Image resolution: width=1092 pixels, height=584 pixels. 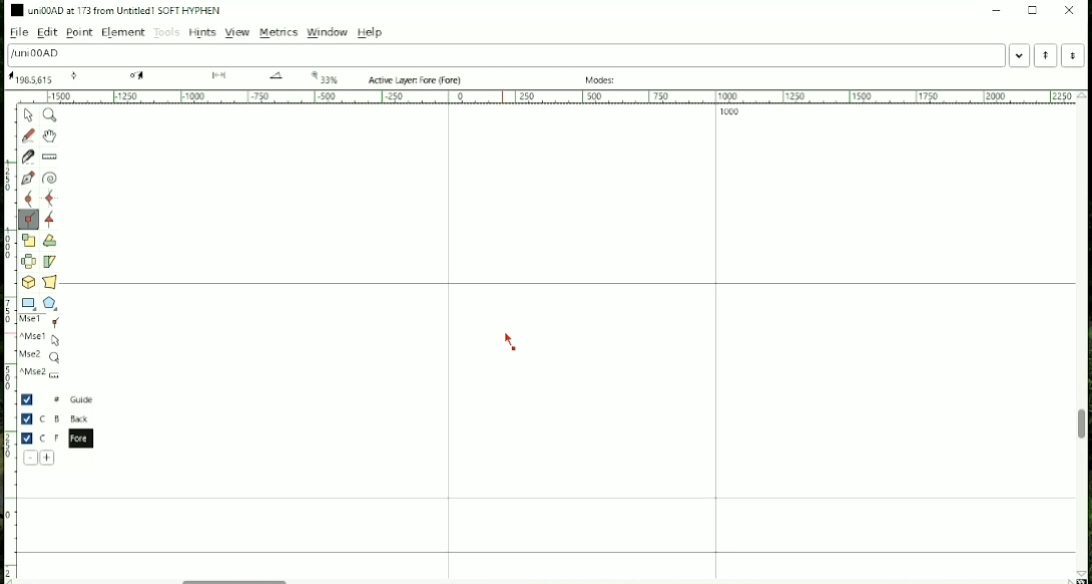 I want to click on Back, so click(x=58, y=418).